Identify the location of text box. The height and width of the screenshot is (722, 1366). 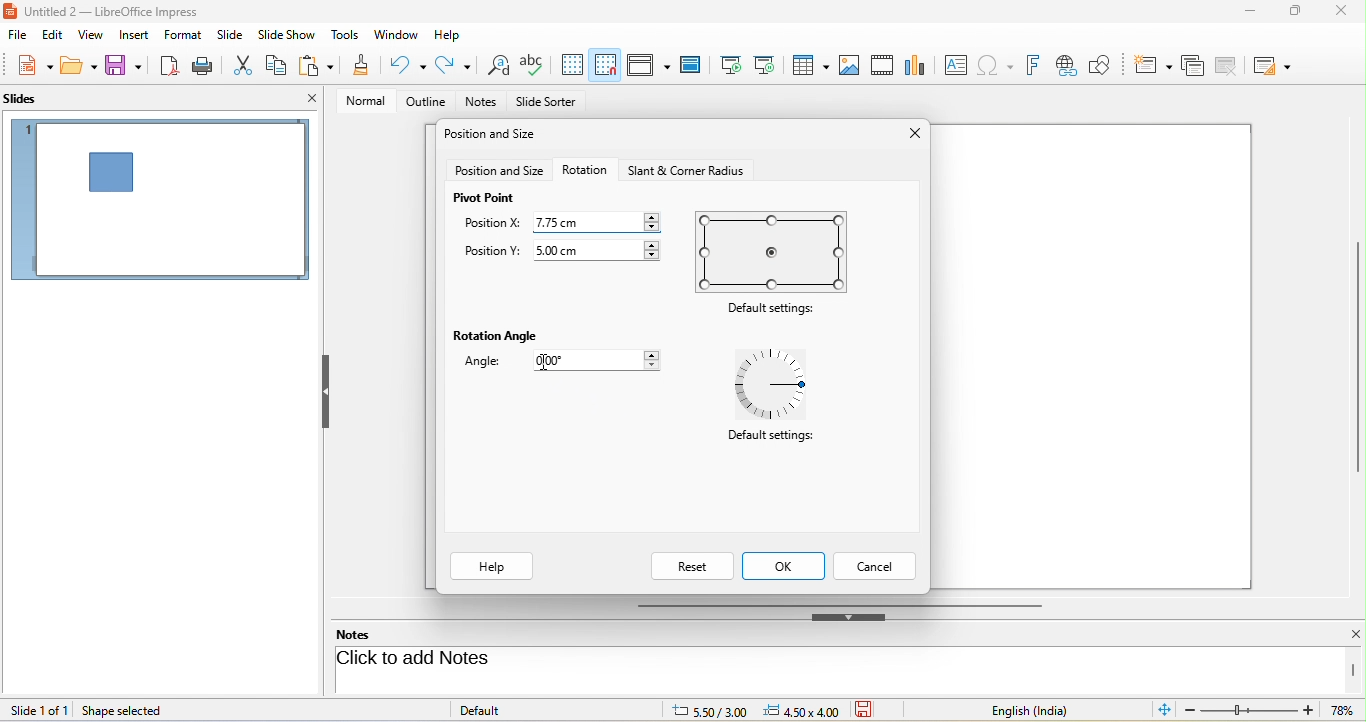
(953, 65).